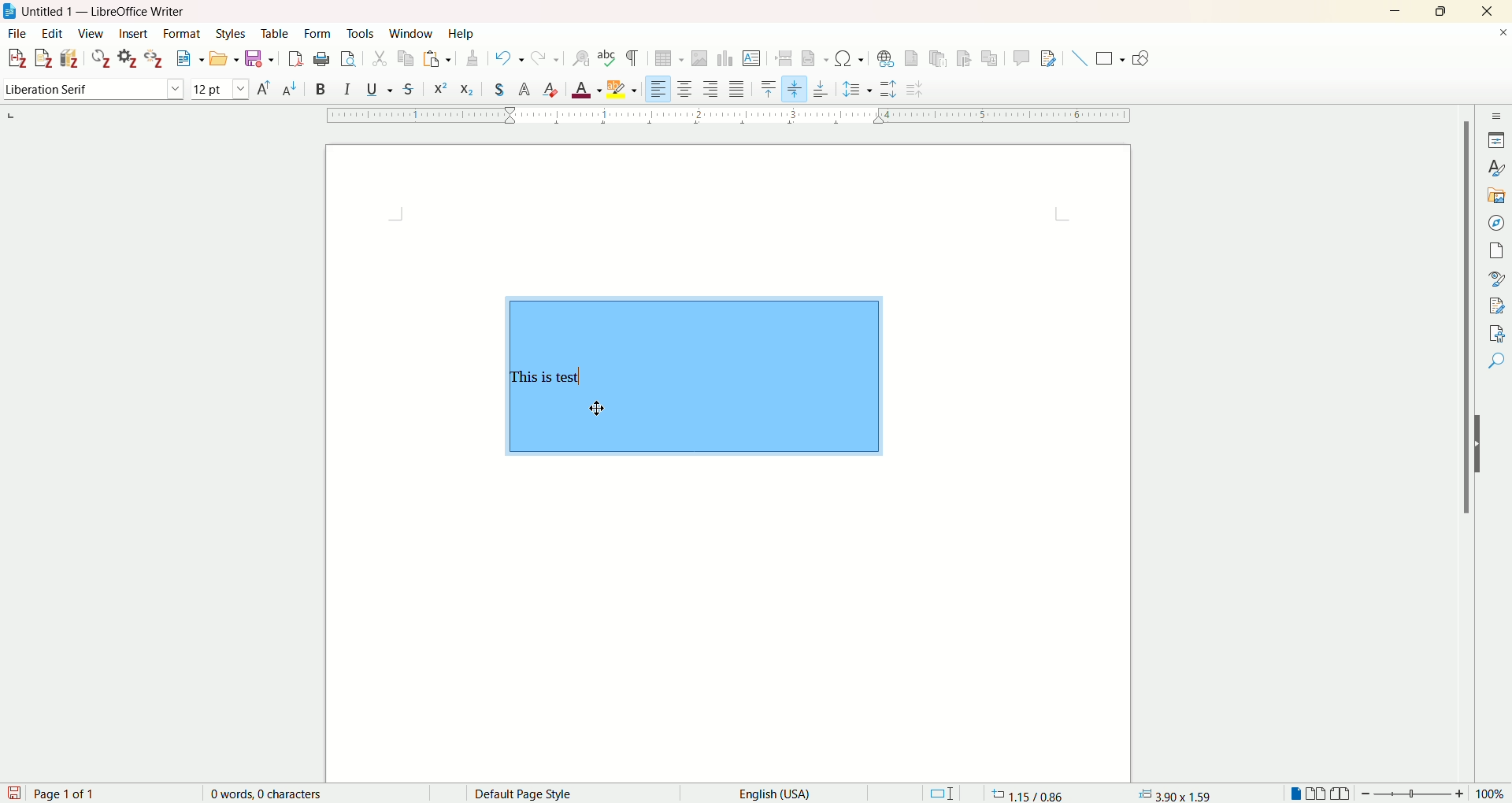  What do you see at coordinates (535, 792) in the screenshot?
I see `Default page style` at bounding box center [535, 792].